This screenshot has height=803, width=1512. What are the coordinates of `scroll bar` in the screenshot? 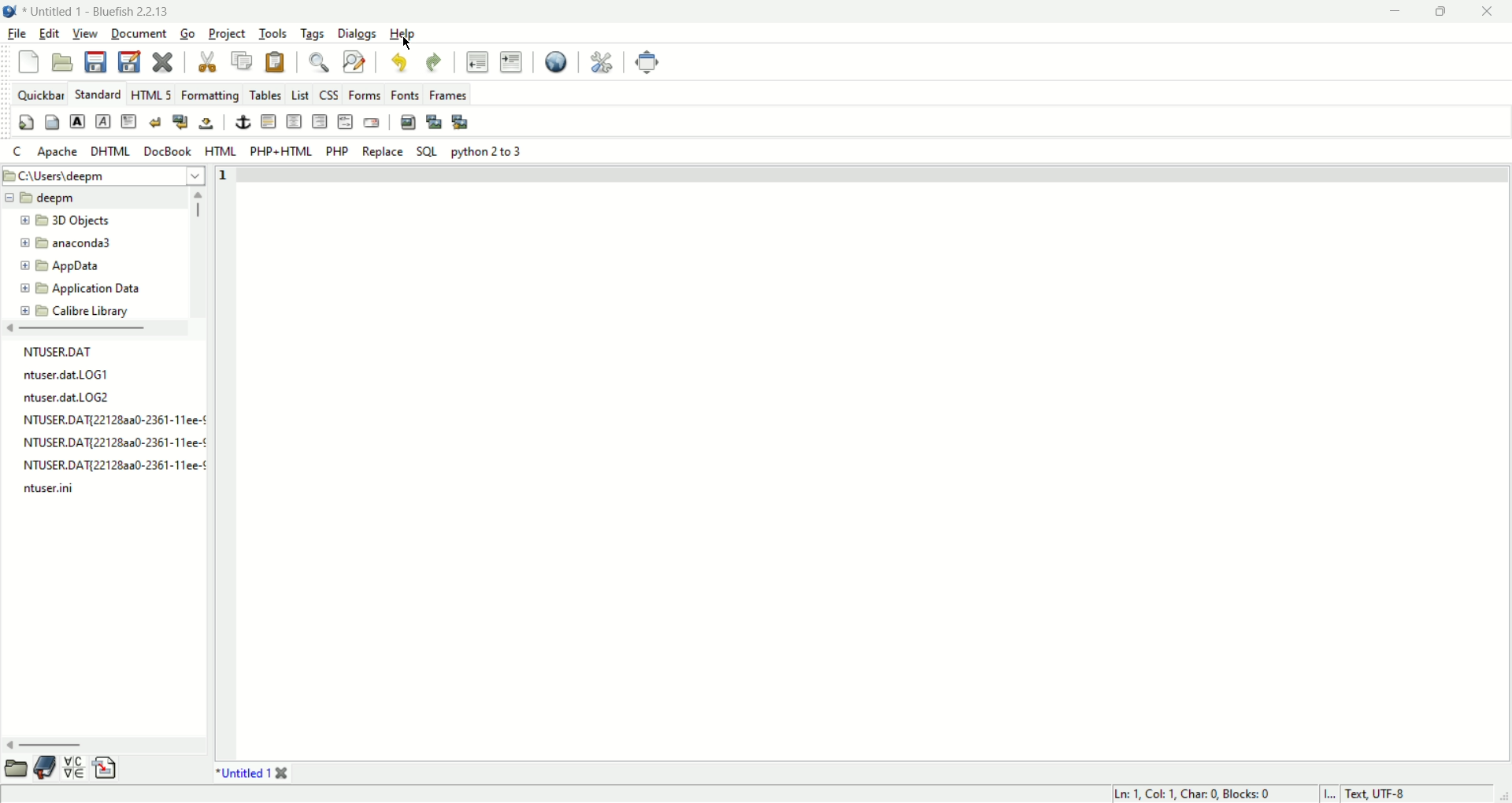 It's located at (94, 329).